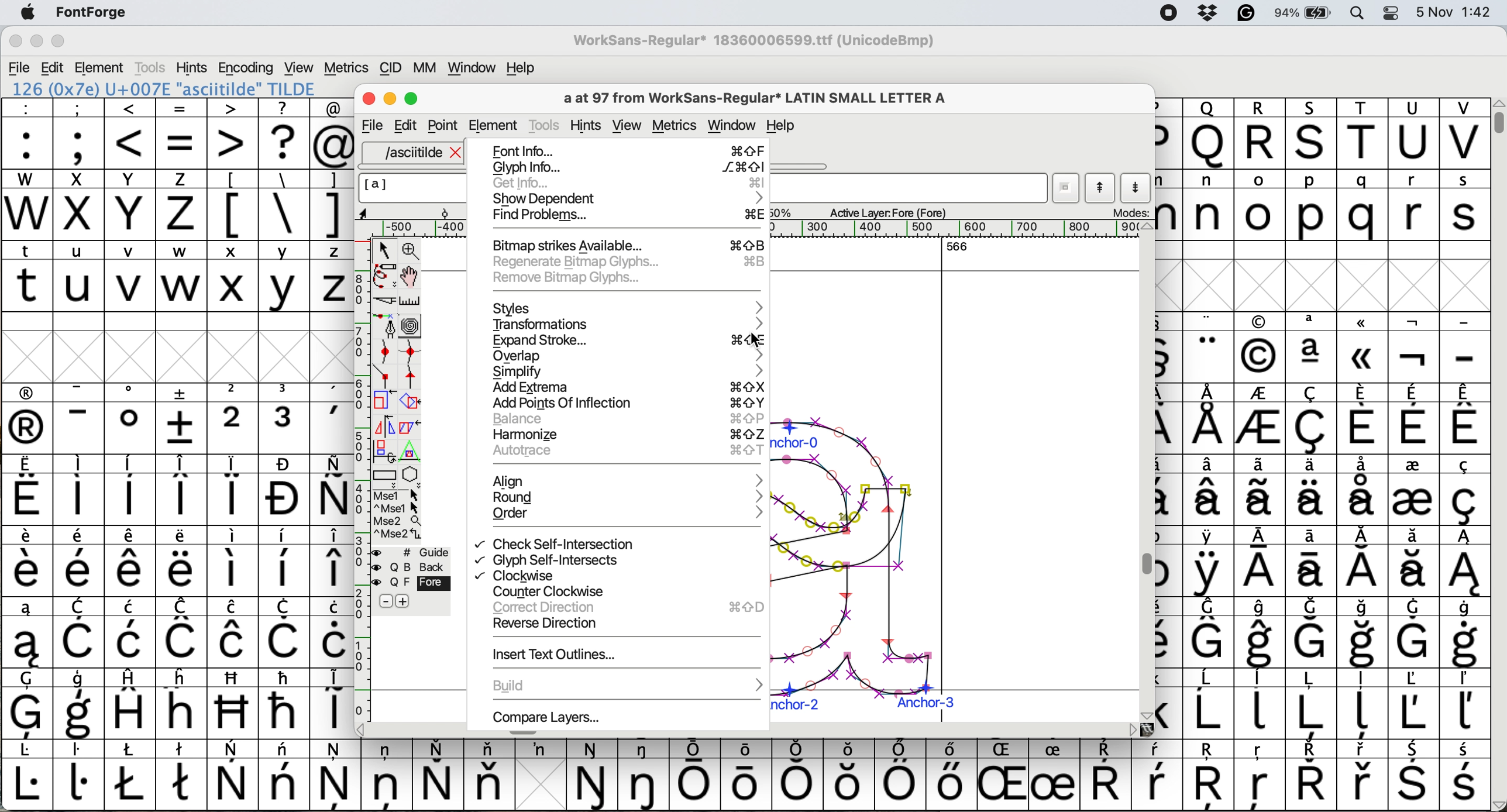  What do you see at coordinates (130, 490) in the screenshot?
I see `symbol` at bounding box center [130, 490].